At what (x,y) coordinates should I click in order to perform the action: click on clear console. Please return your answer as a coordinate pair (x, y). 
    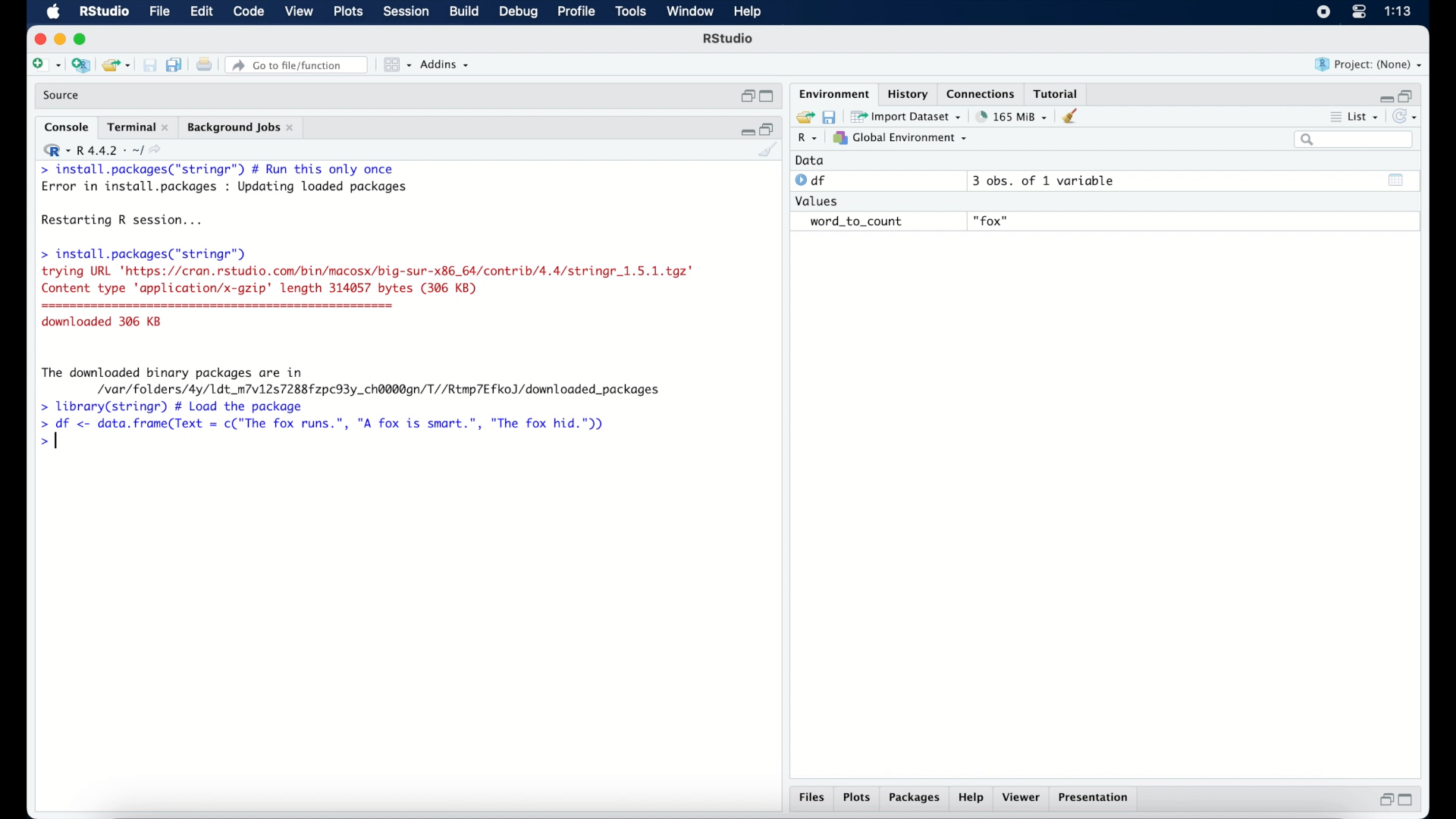
    Looking at the image, I should click on (1074, 116).